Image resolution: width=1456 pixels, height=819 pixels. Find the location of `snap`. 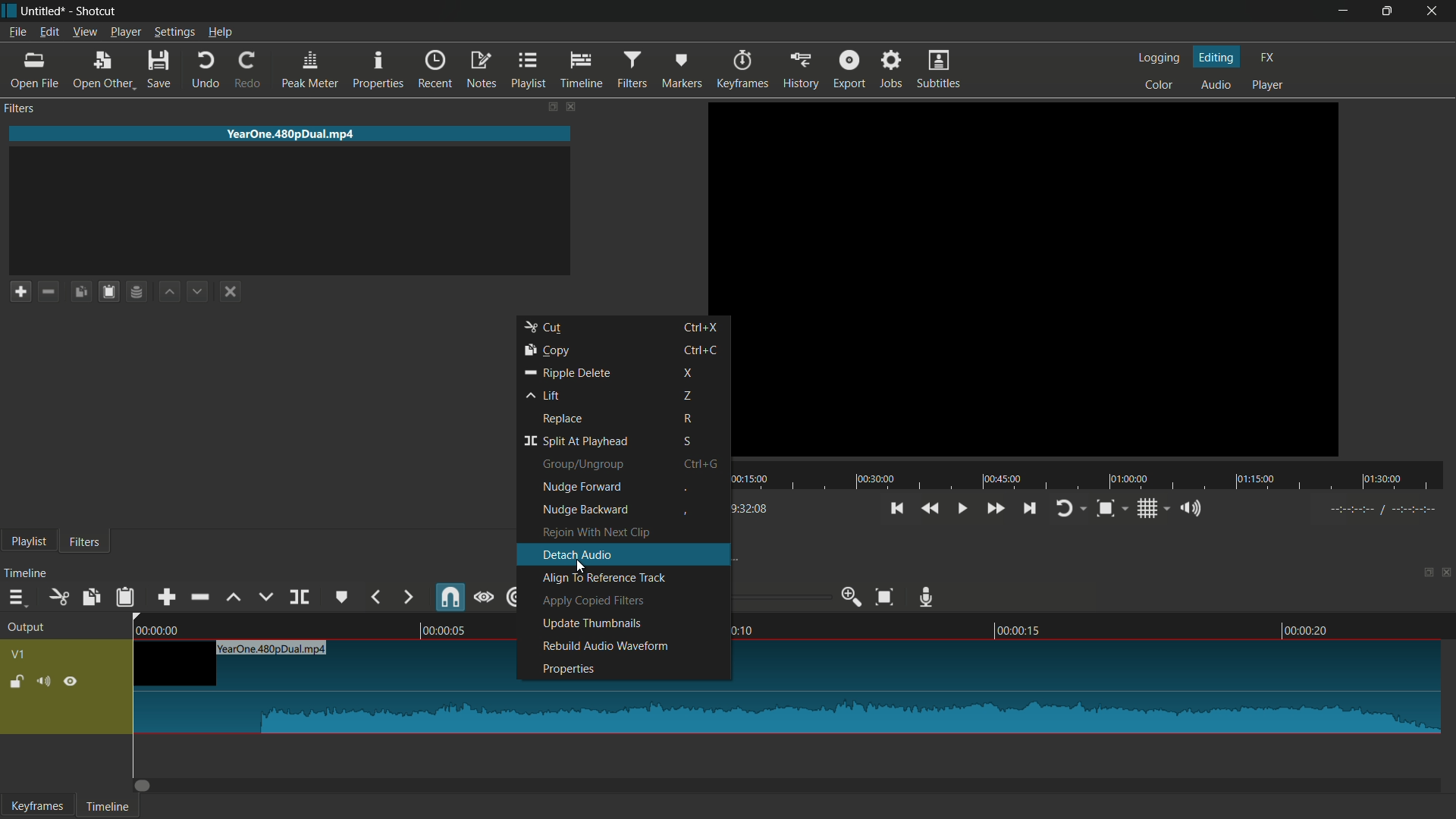

snap is located at coordinates (450, 597).